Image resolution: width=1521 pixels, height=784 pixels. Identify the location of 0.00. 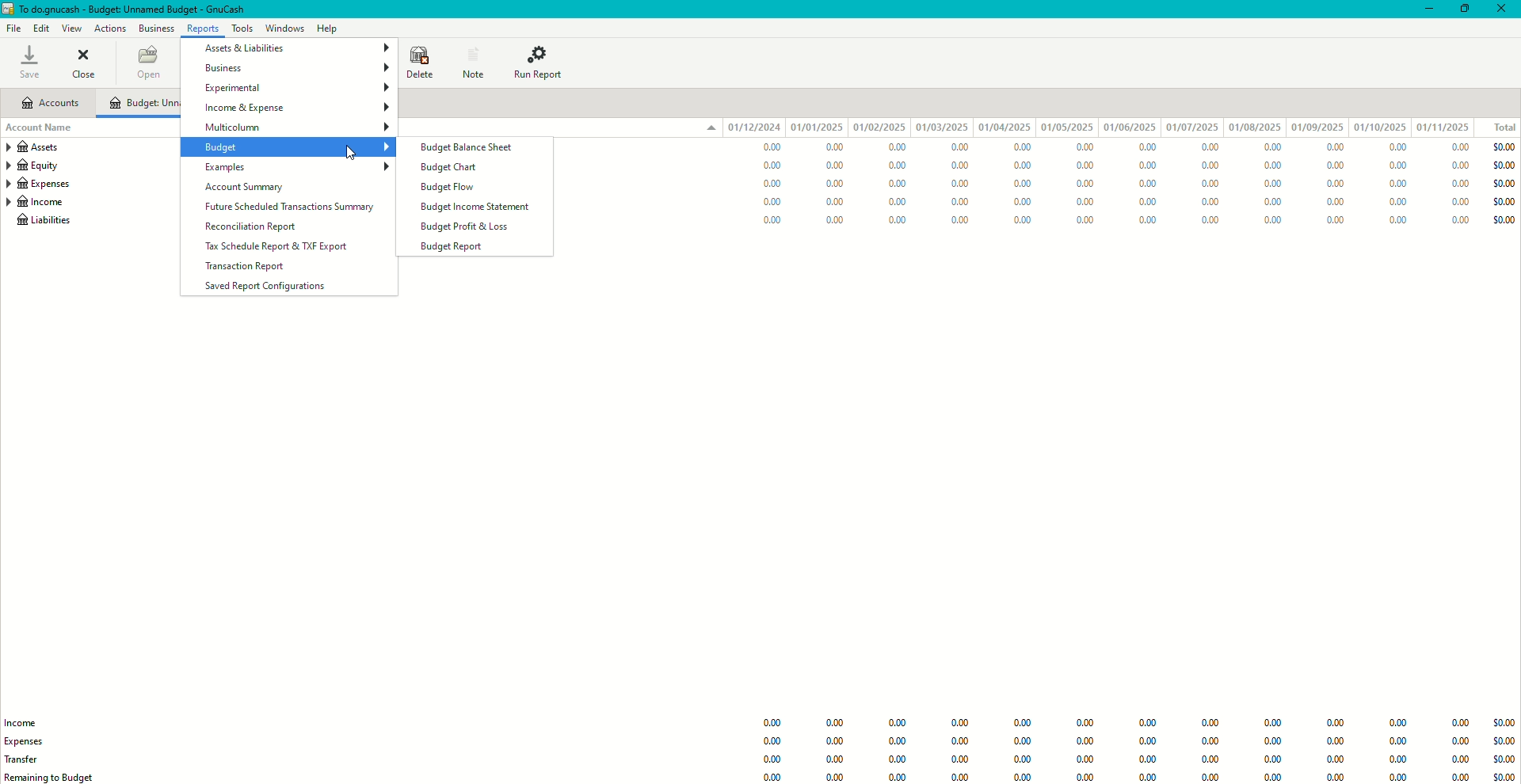
(1210, 761).